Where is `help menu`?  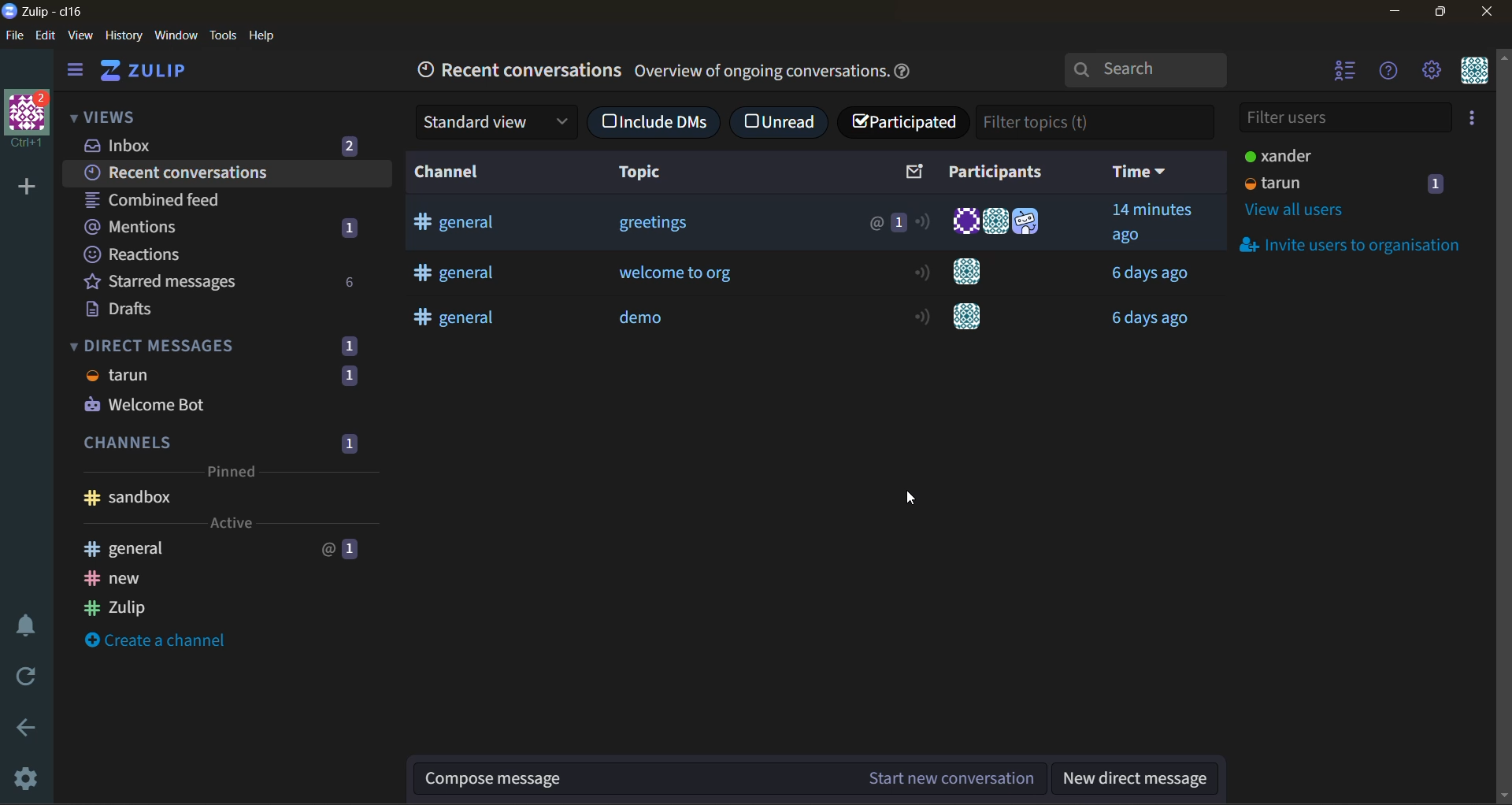 help menu is located at coordinates (1389, 75).